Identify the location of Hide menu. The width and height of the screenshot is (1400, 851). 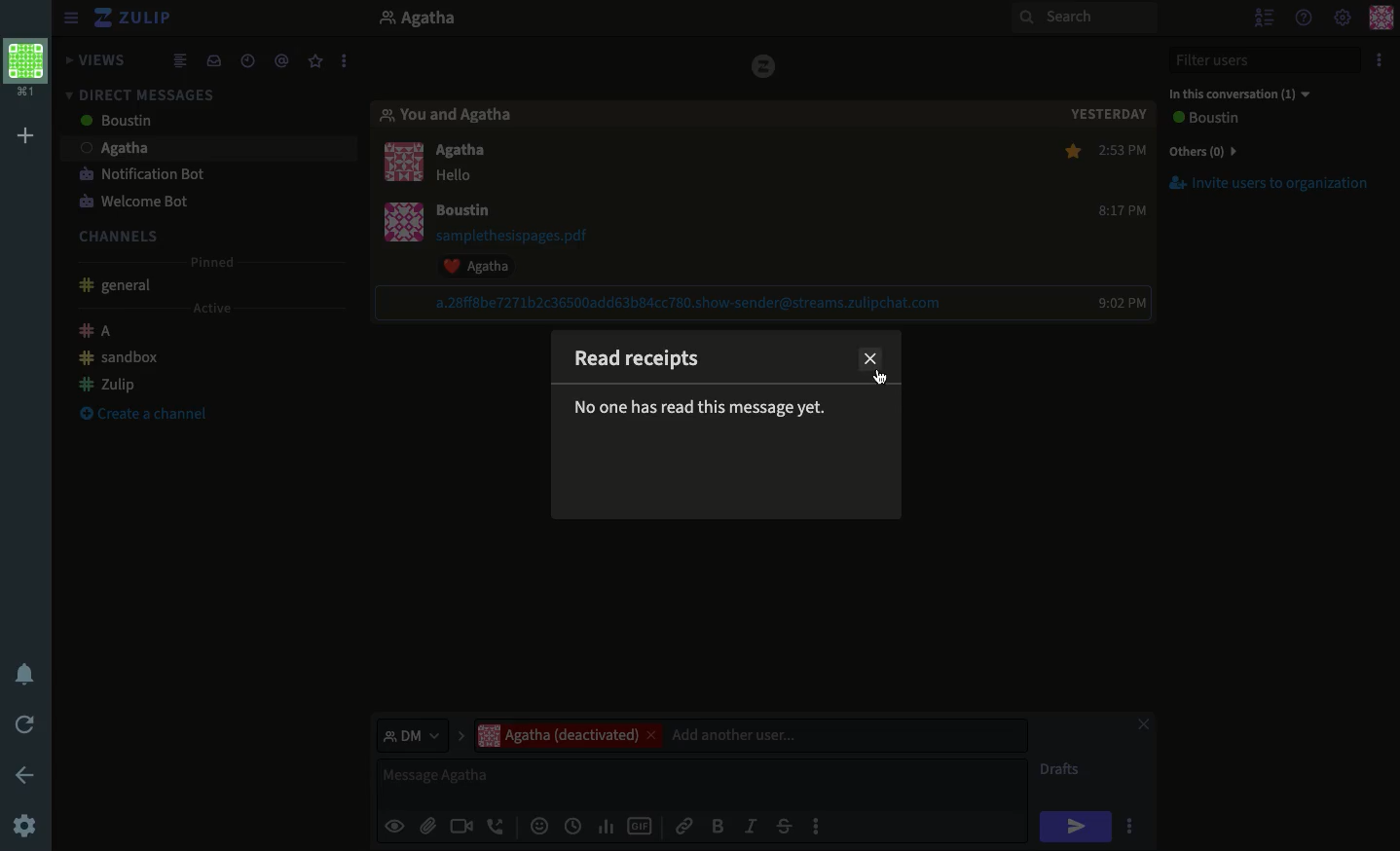
(71, 16).